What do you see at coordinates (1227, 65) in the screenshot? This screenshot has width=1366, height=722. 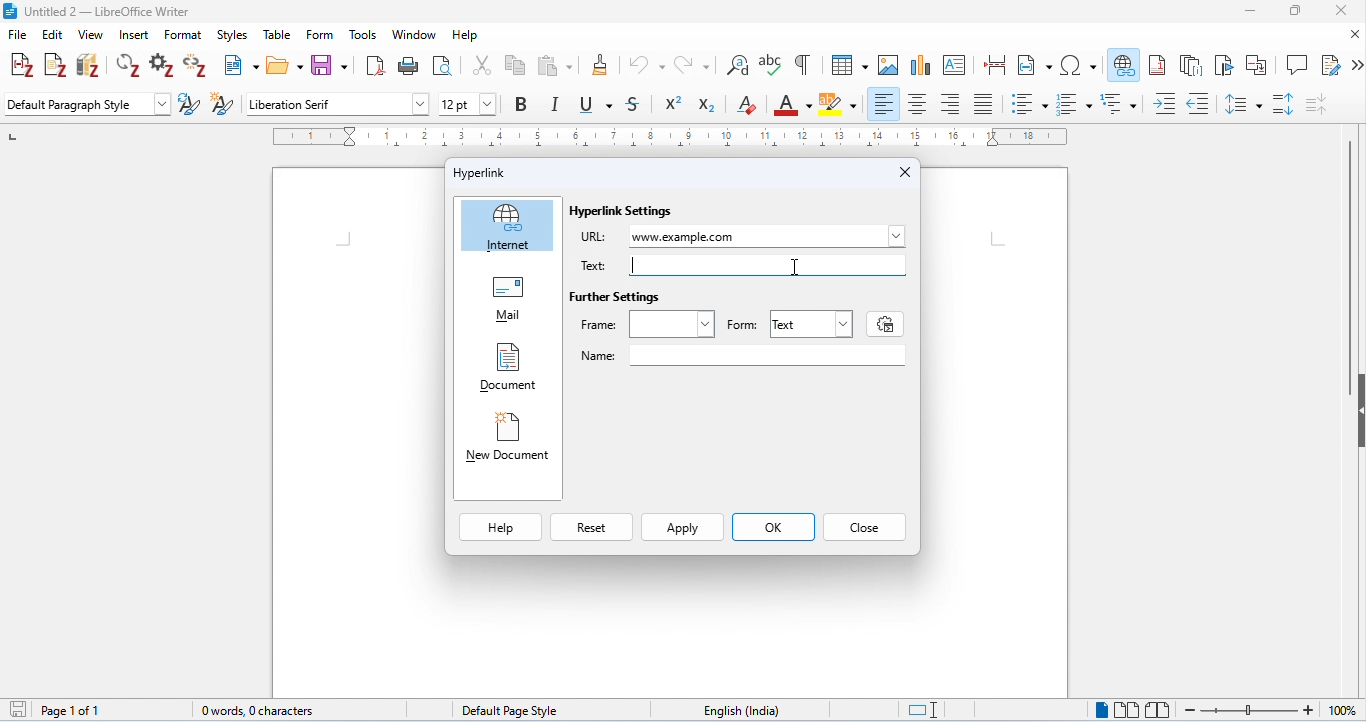 I see `insert bookmark` at bounding box center [1227, 65].